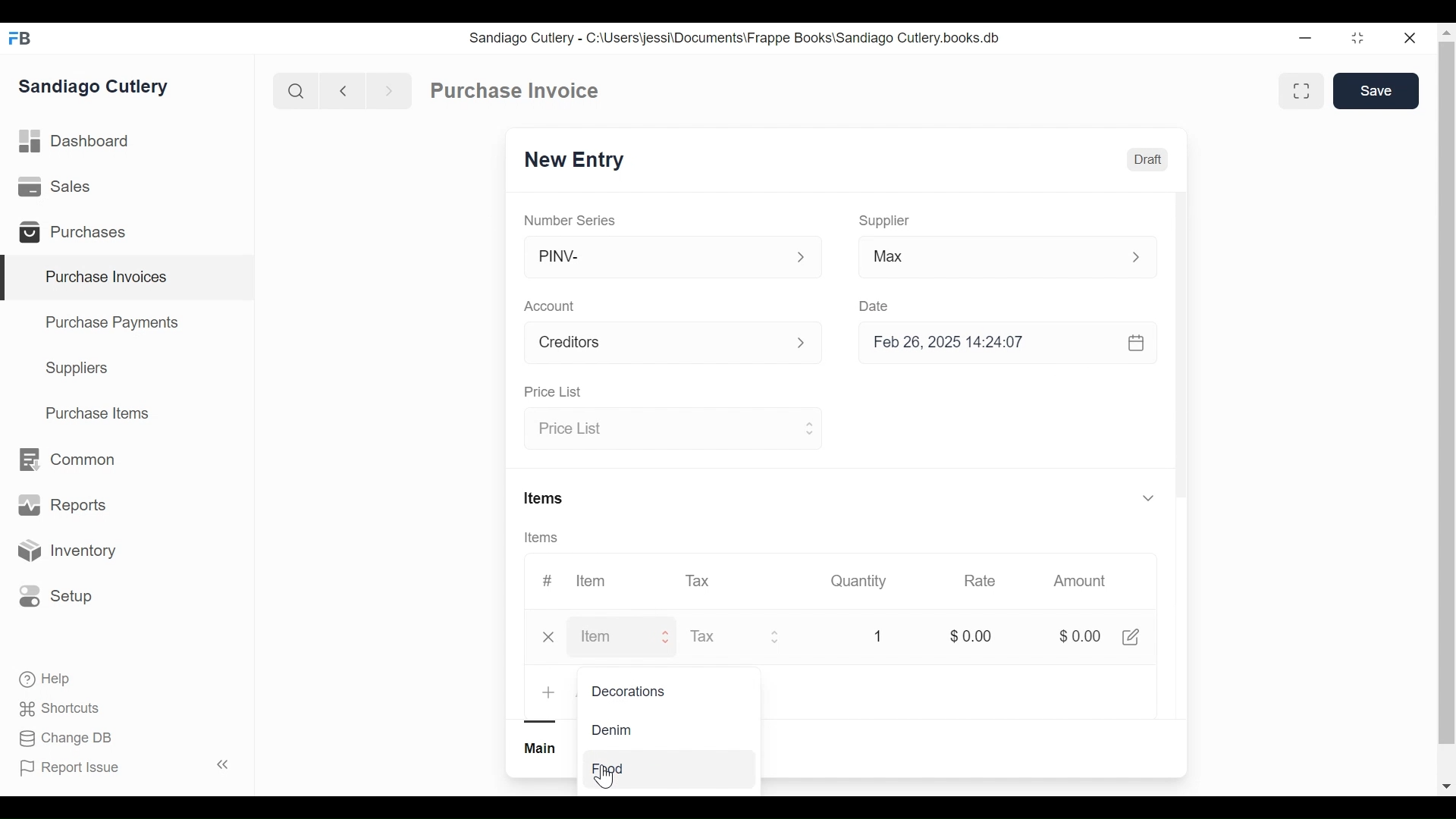 The width and height of the screenshot is (1456, 819). I want to click on Frappe Books Desktop icon, so click(25, 39).